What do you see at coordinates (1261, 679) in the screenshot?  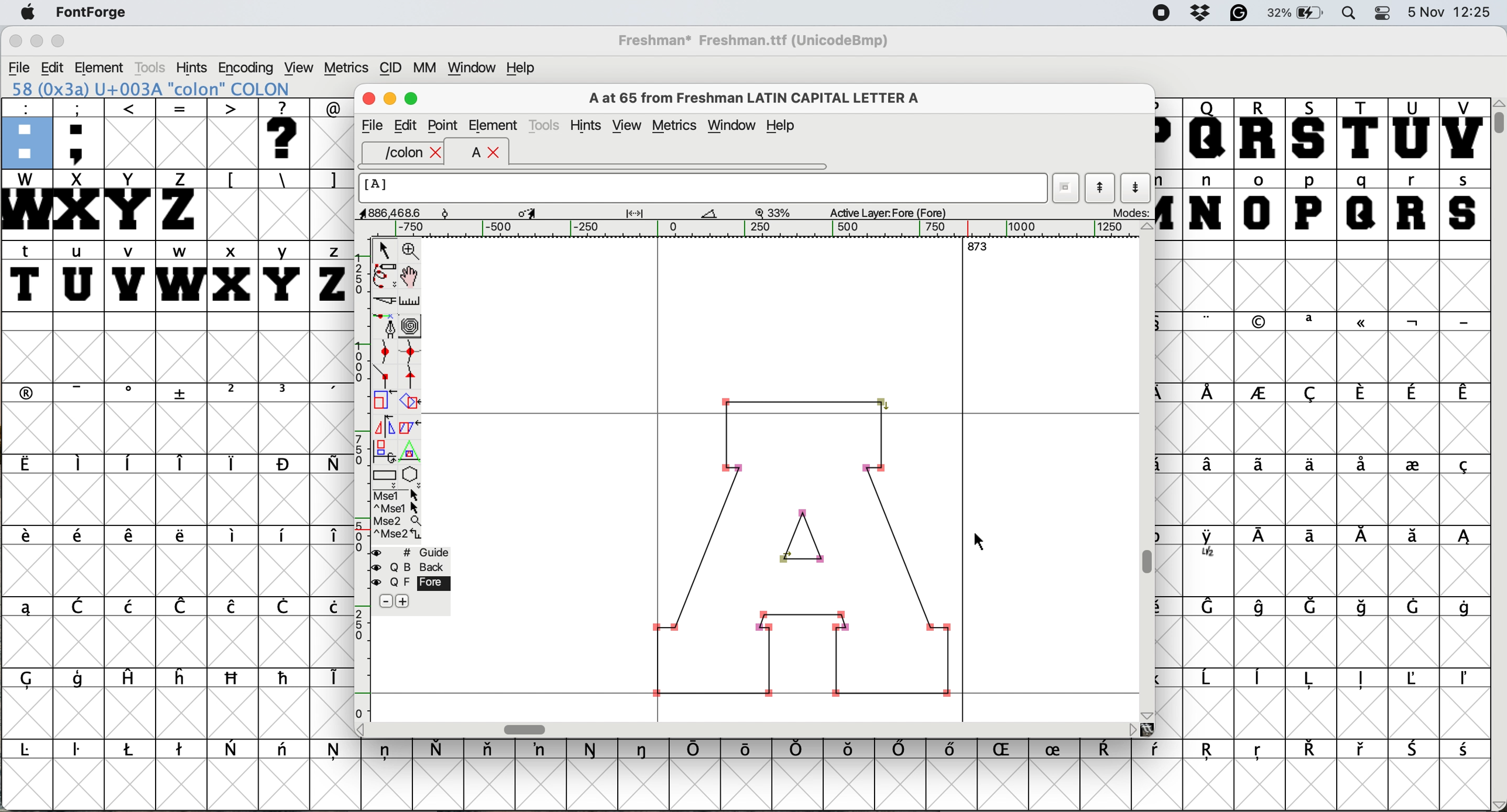 I see `symbol` at bounding box center [1261, 679].